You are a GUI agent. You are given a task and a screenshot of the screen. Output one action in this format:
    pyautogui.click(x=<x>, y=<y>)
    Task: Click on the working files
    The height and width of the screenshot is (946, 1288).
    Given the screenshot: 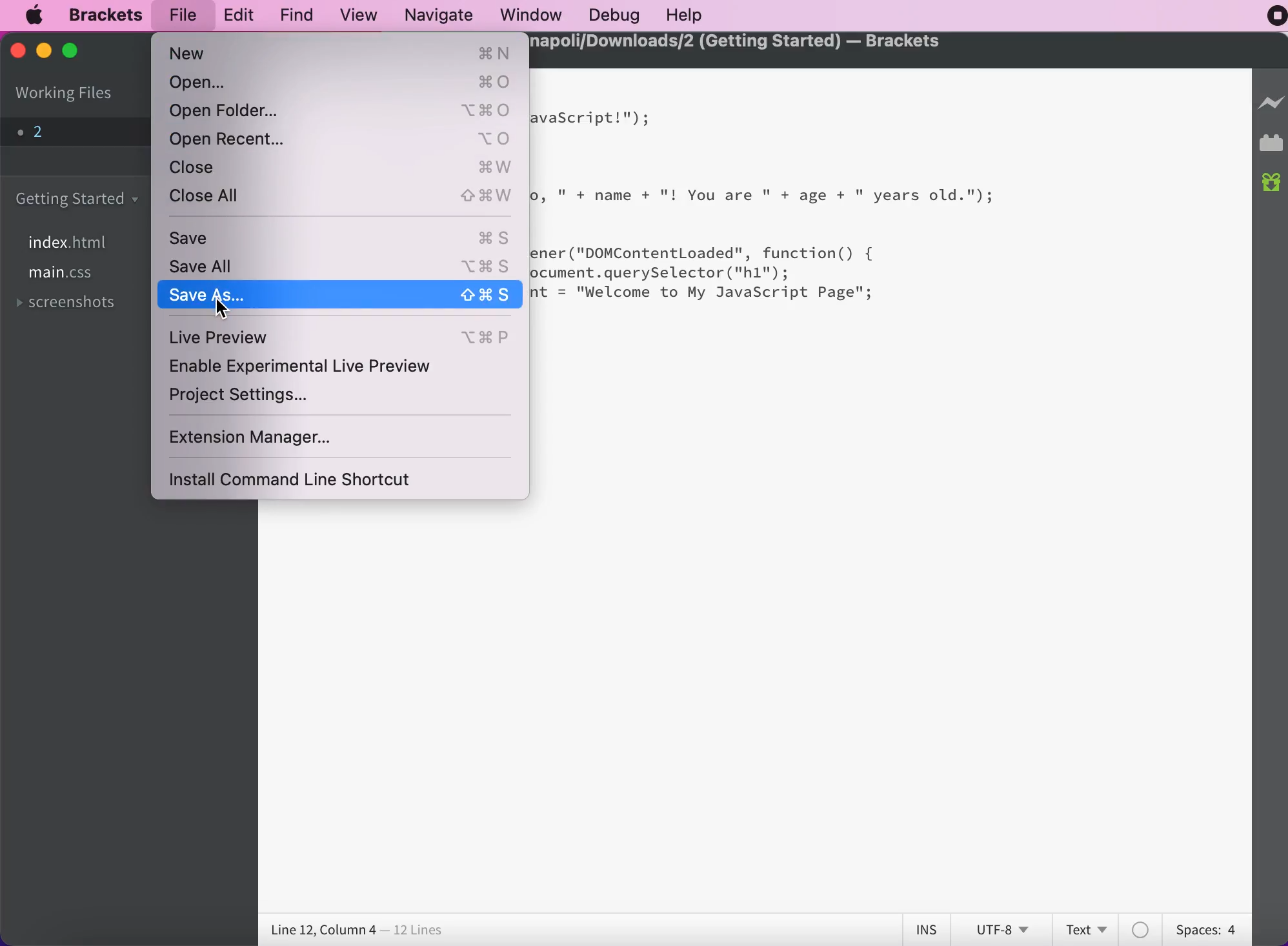 What is the action you would take?
    pyautogui.click(x=66, y=94)
    